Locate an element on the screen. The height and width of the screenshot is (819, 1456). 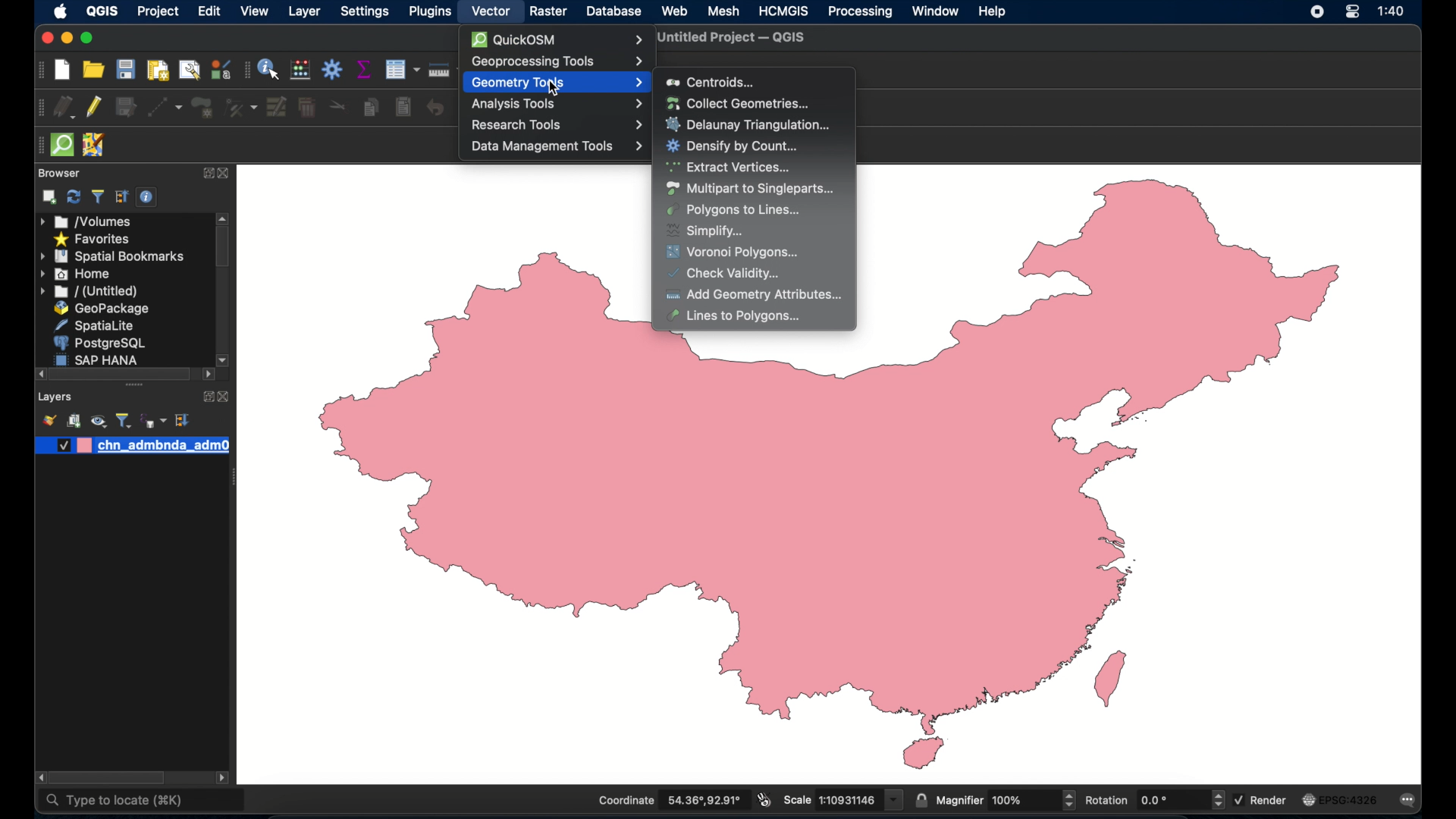
toolbox is located at coordinates (333, 69).